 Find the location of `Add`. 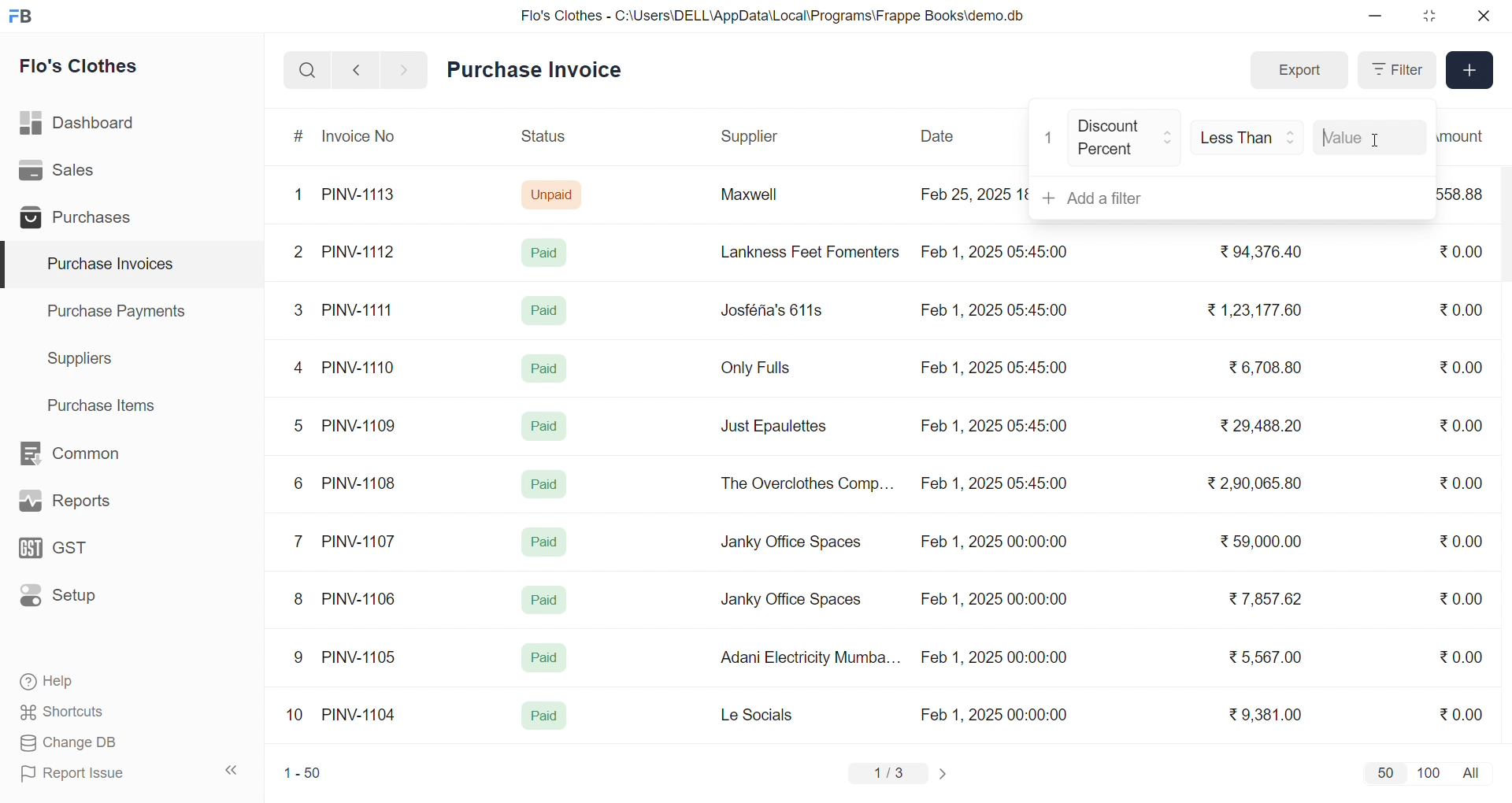

Add is located at coordinates (1470, 71).